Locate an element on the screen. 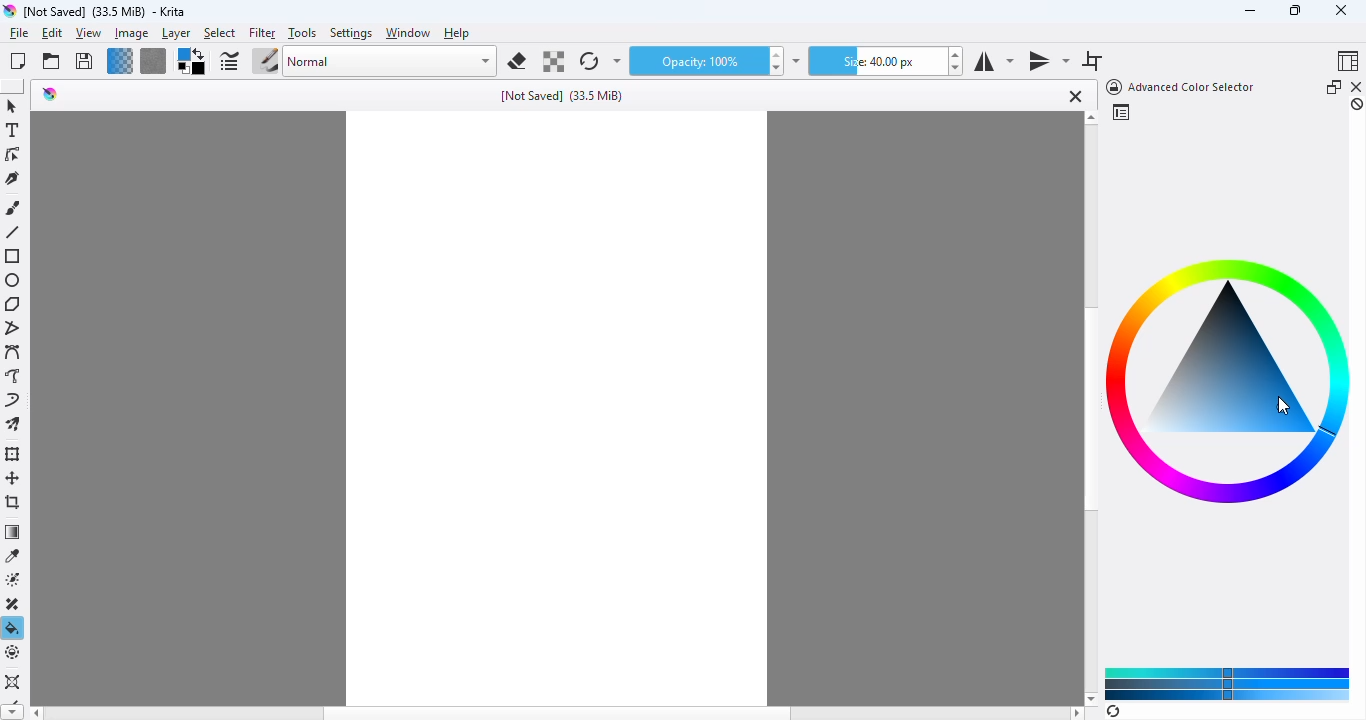 This screenshot has height=720, width=1366. tools is located at coordinates (302, 33).